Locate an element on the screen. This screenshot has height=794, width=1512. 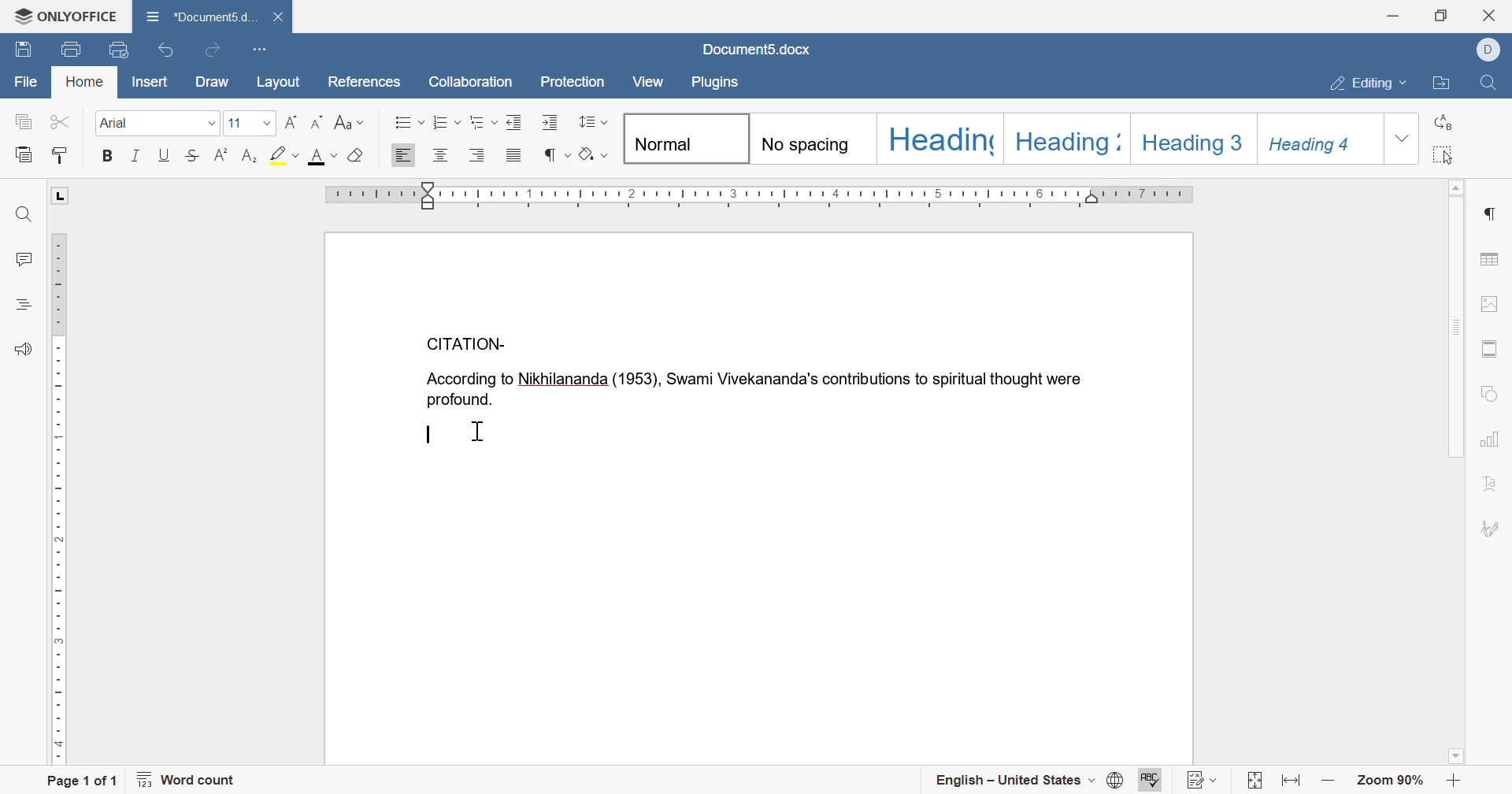
ruler is located at coordinates (61, 499).